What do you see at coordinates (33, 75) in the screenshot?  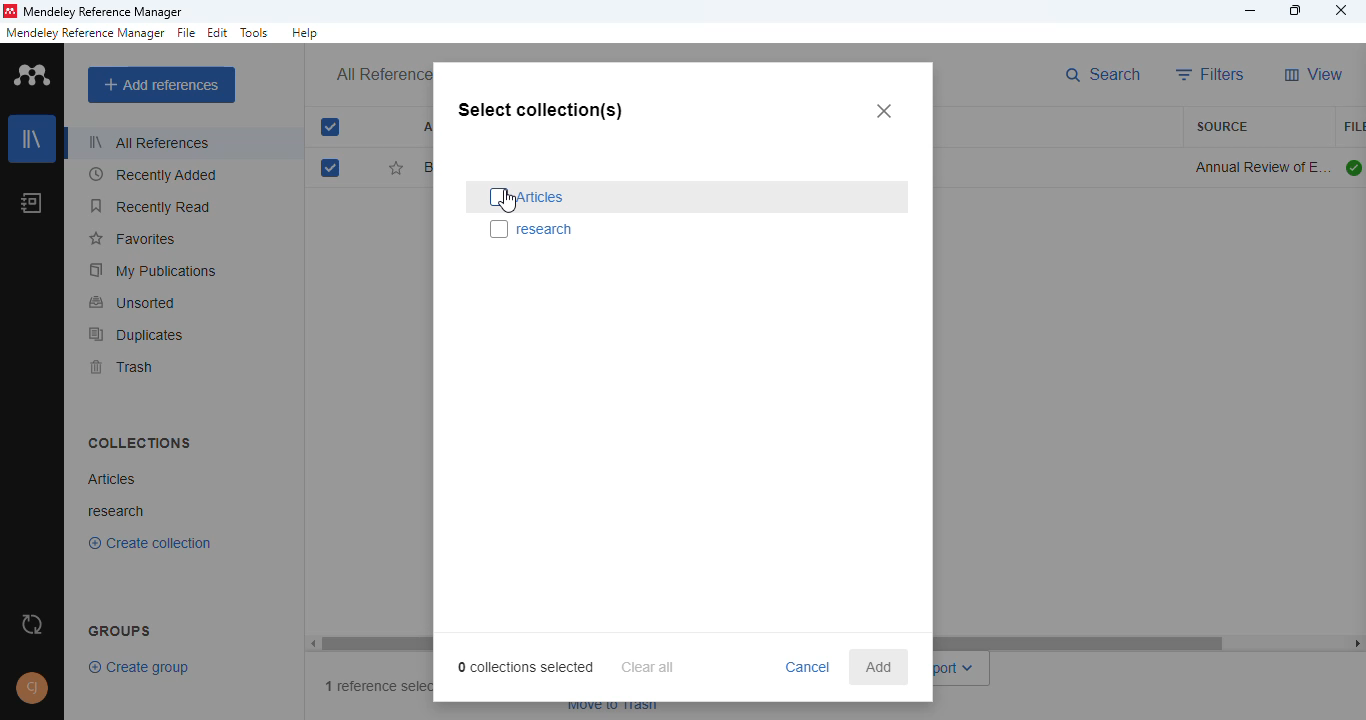 I see `logo` at bounding box center [33, 75].